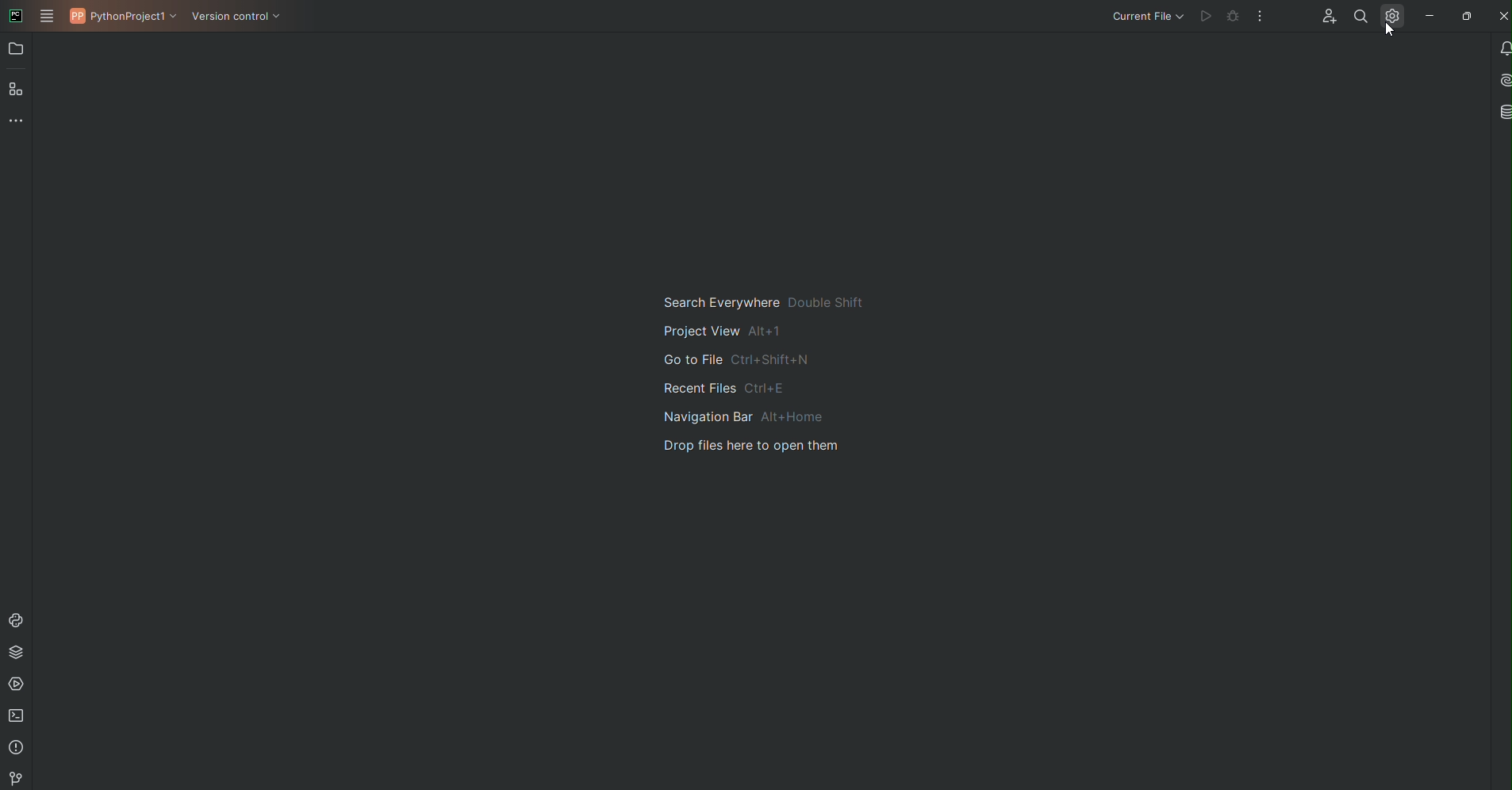  What do you see at coordinates (1502, 48) in the screenshot?
I see `Notifications` at bounding box center [1502, 48].